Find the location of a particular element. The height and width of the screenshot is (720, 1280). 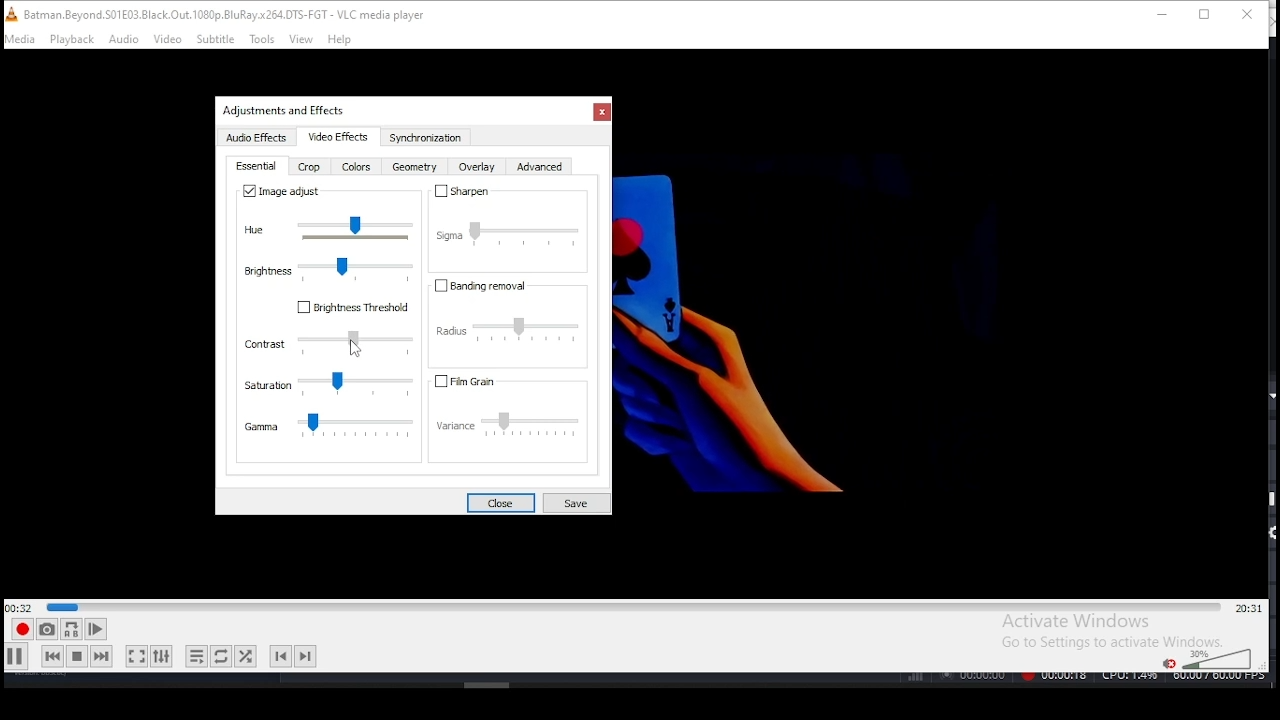

remaining/total time is located at coordinates (1248, 608).